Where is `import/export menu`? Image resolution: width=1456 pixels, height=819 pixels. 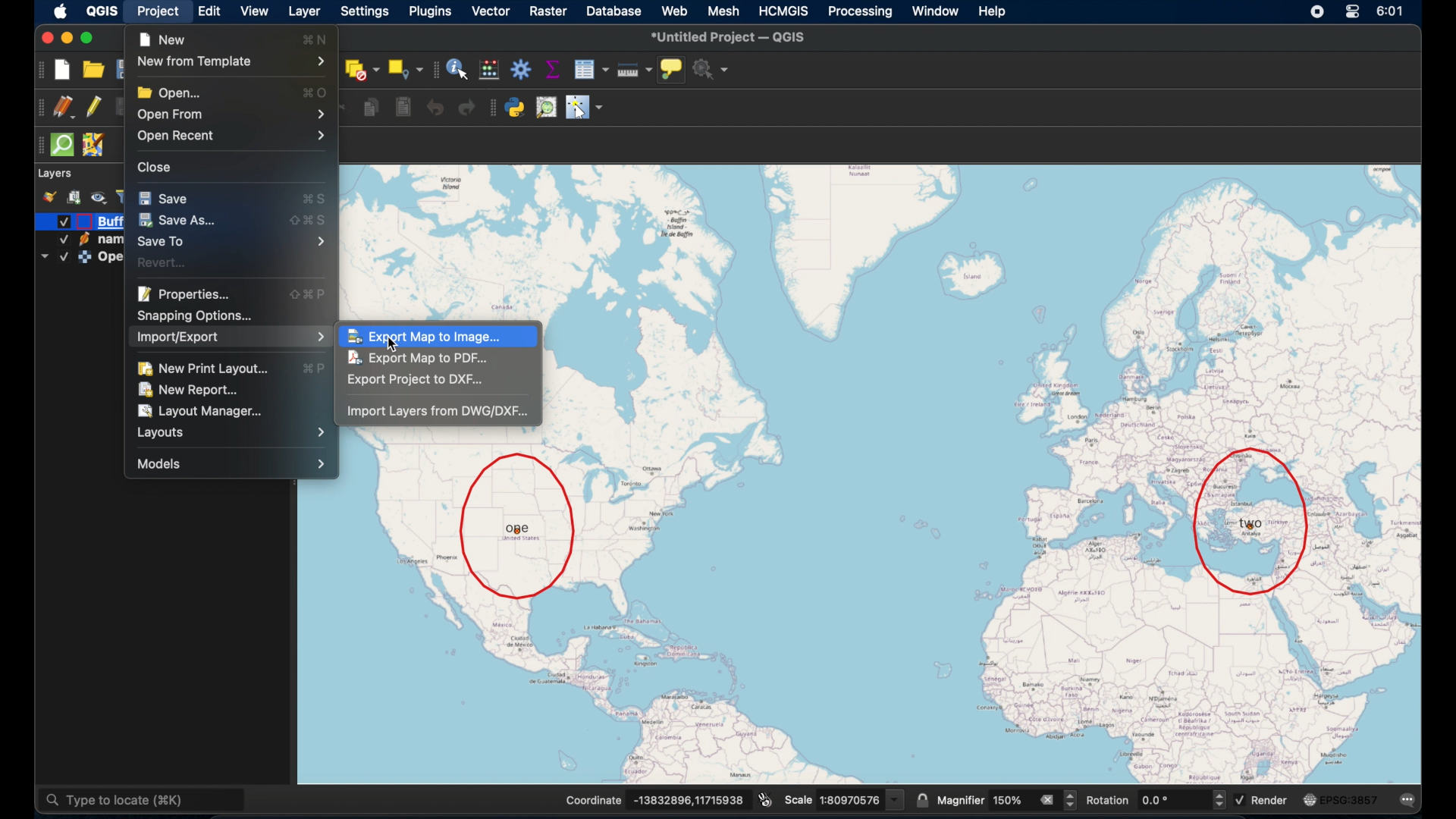 import/export menu is located at coordinates (231, 338).